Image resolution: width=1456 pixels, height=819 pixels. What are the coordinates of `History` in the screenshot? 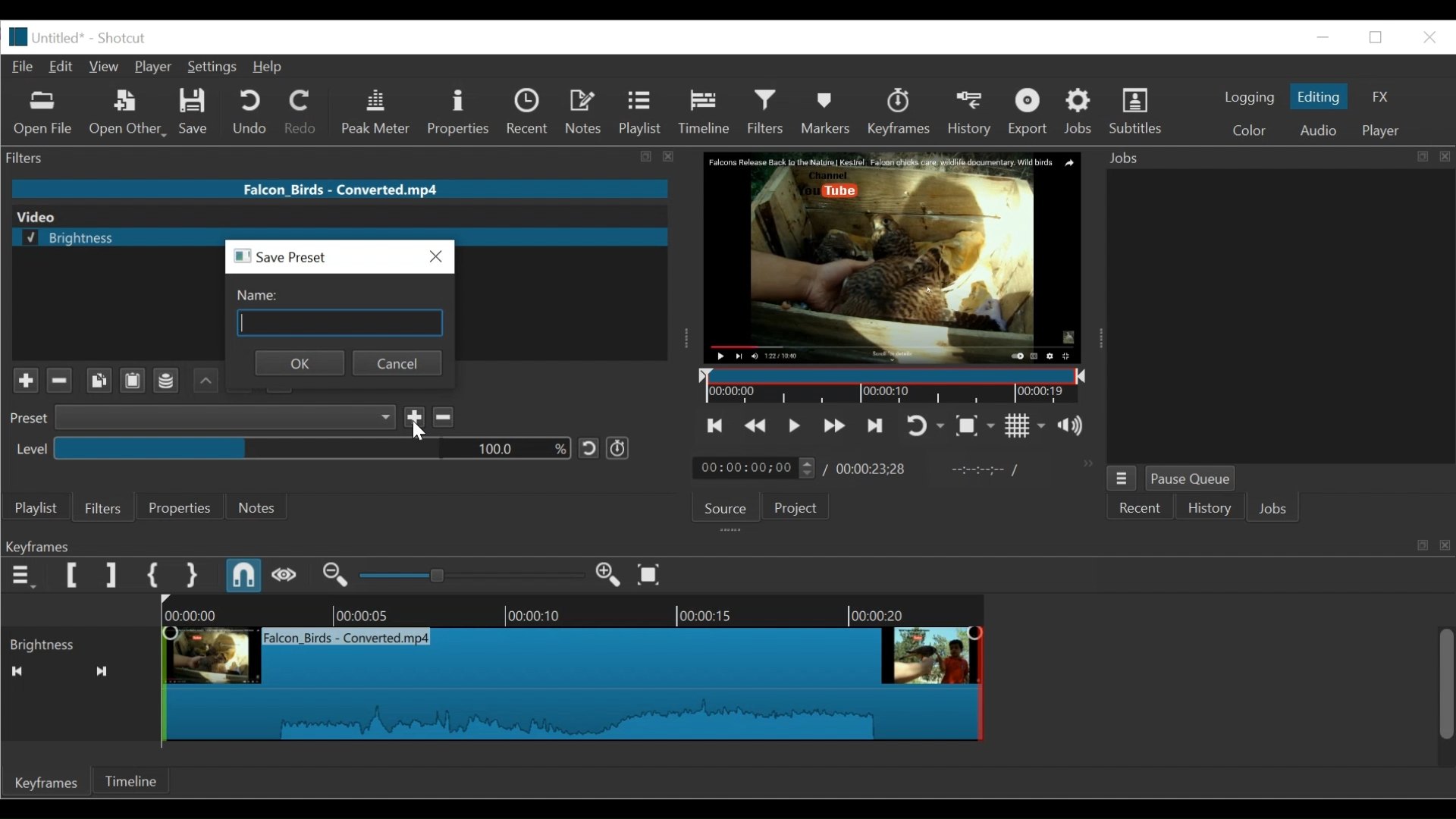 It's located at (970, 112).